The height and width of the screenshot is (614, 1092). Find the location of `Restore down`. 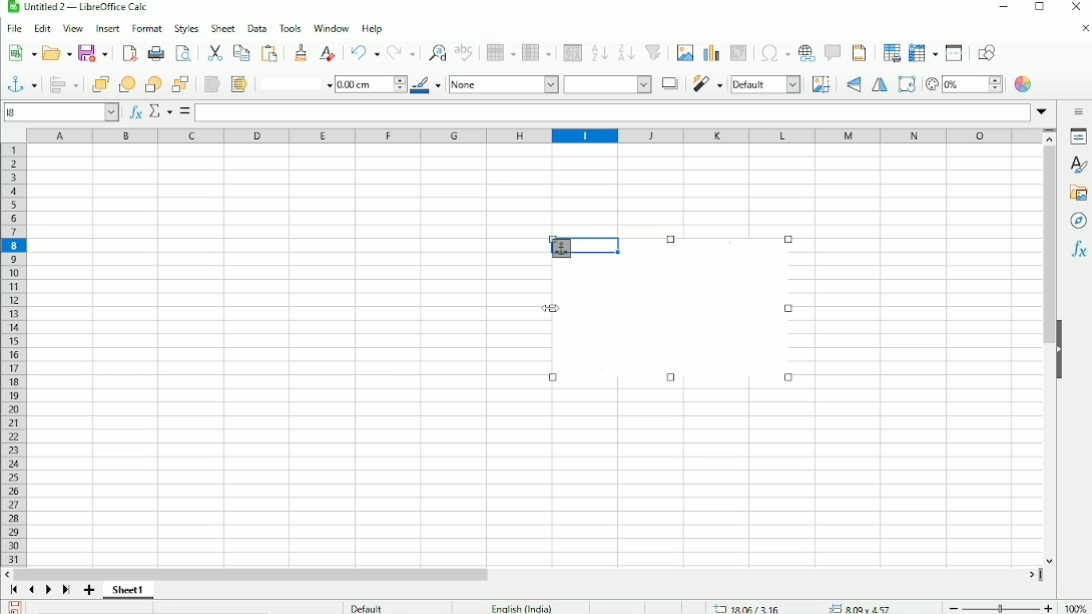

Restore down is located at coordinates (1039, 10).